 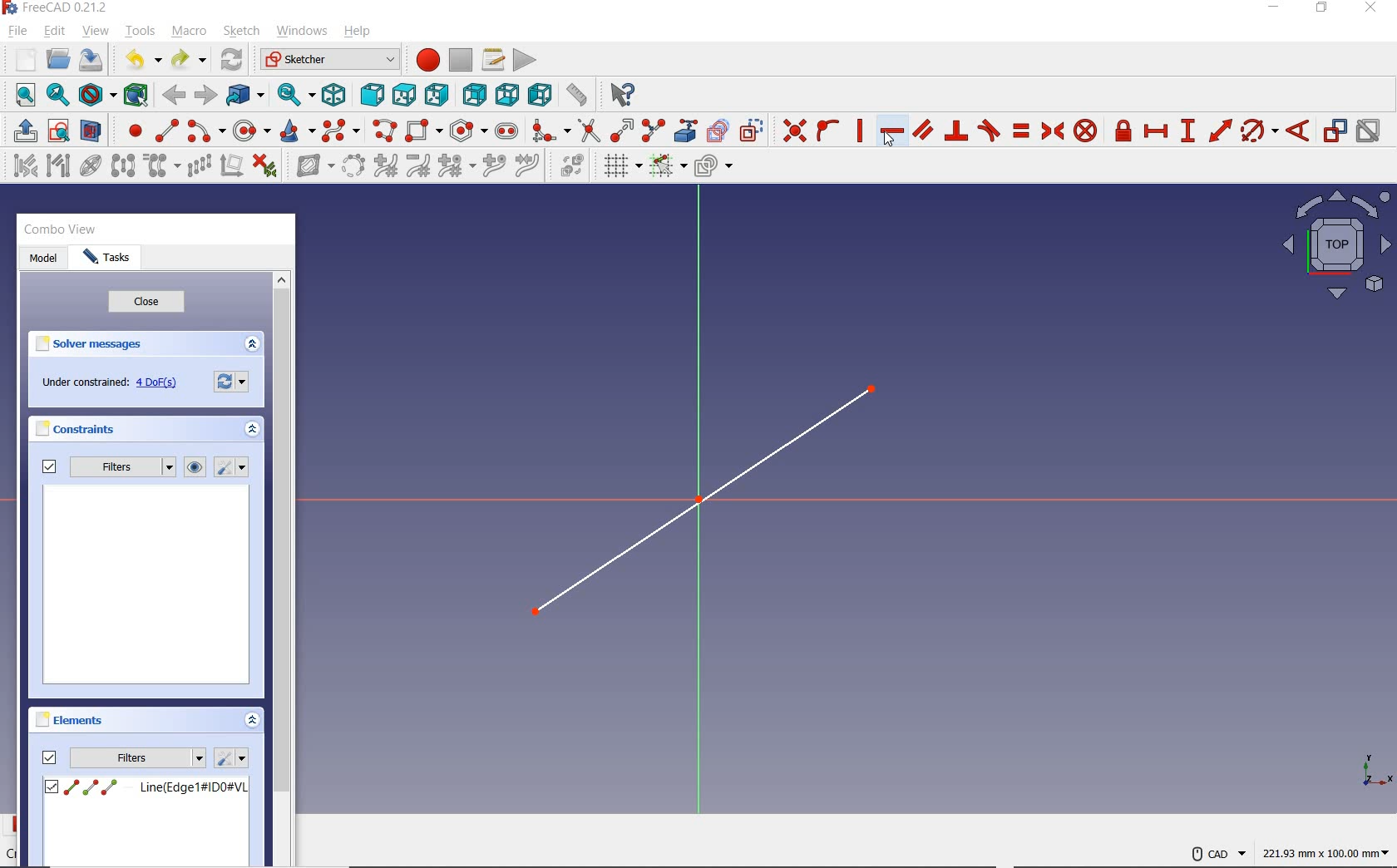 I want to click on SETTINGS, so click(x=229, y=382).